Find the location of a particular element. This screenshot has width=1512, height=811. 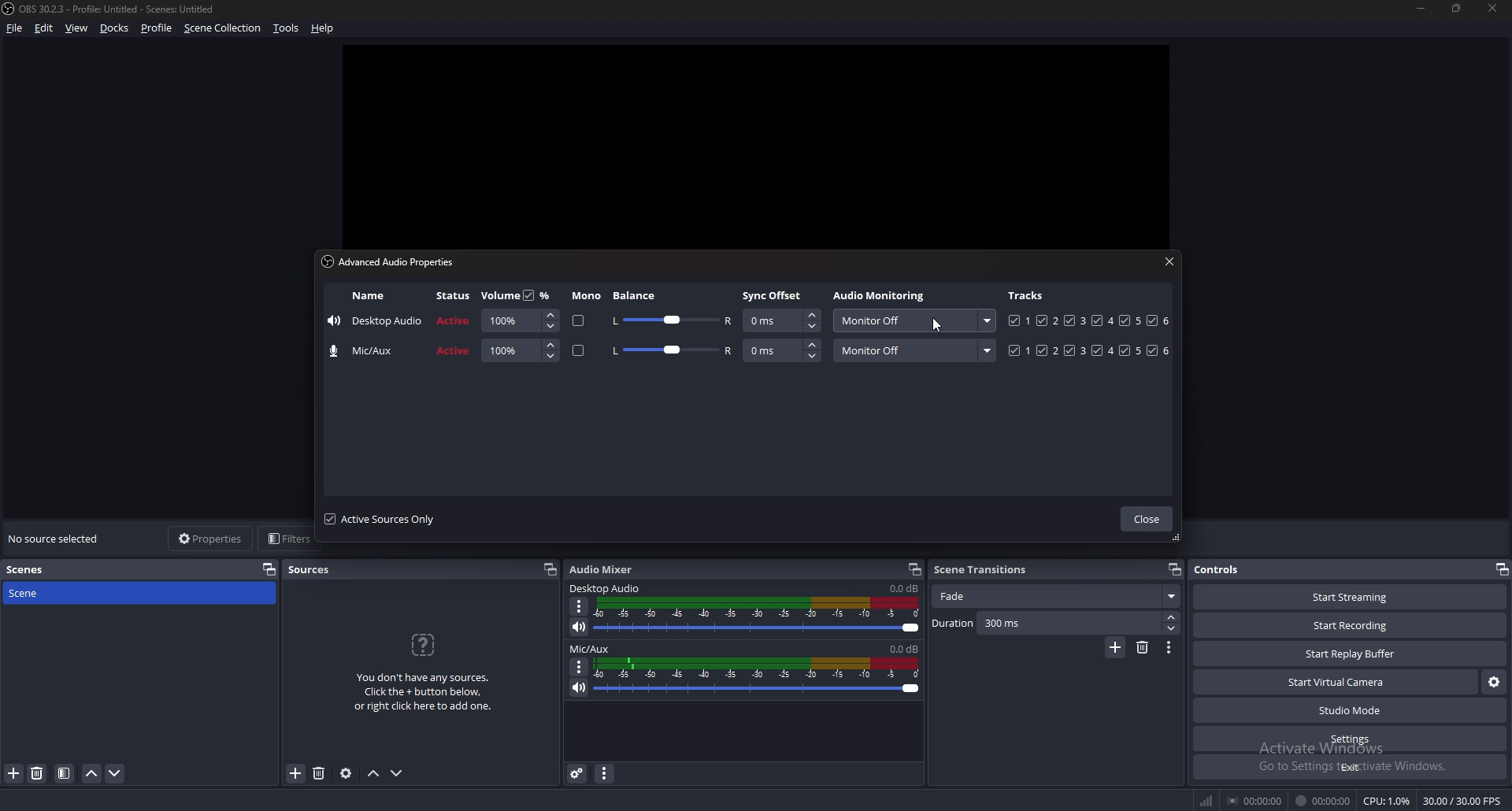

mono is located at coordinates (579, 350).